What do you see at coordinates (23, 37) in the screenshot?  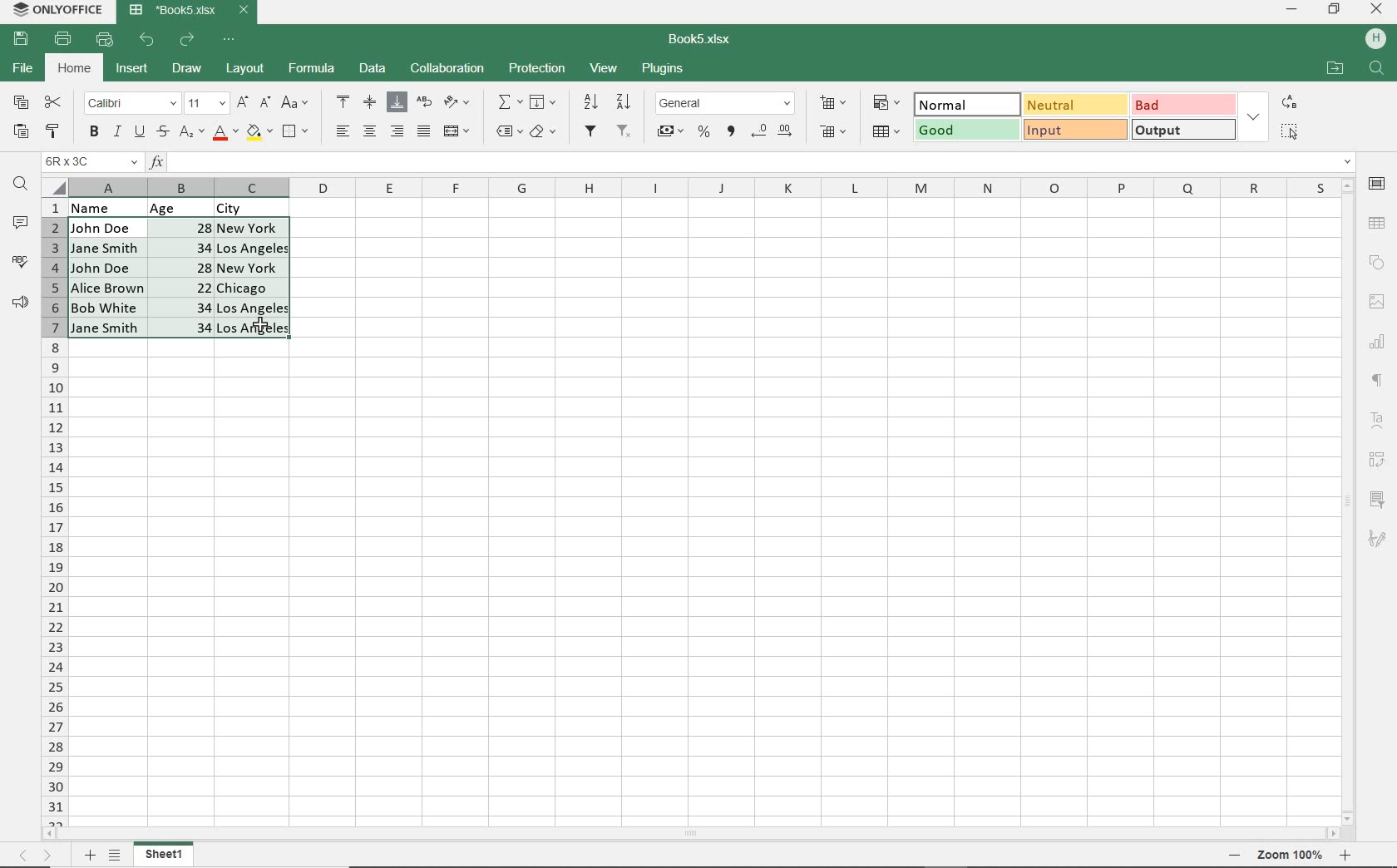 I see `SAVE` at bounding box center [23, 37].